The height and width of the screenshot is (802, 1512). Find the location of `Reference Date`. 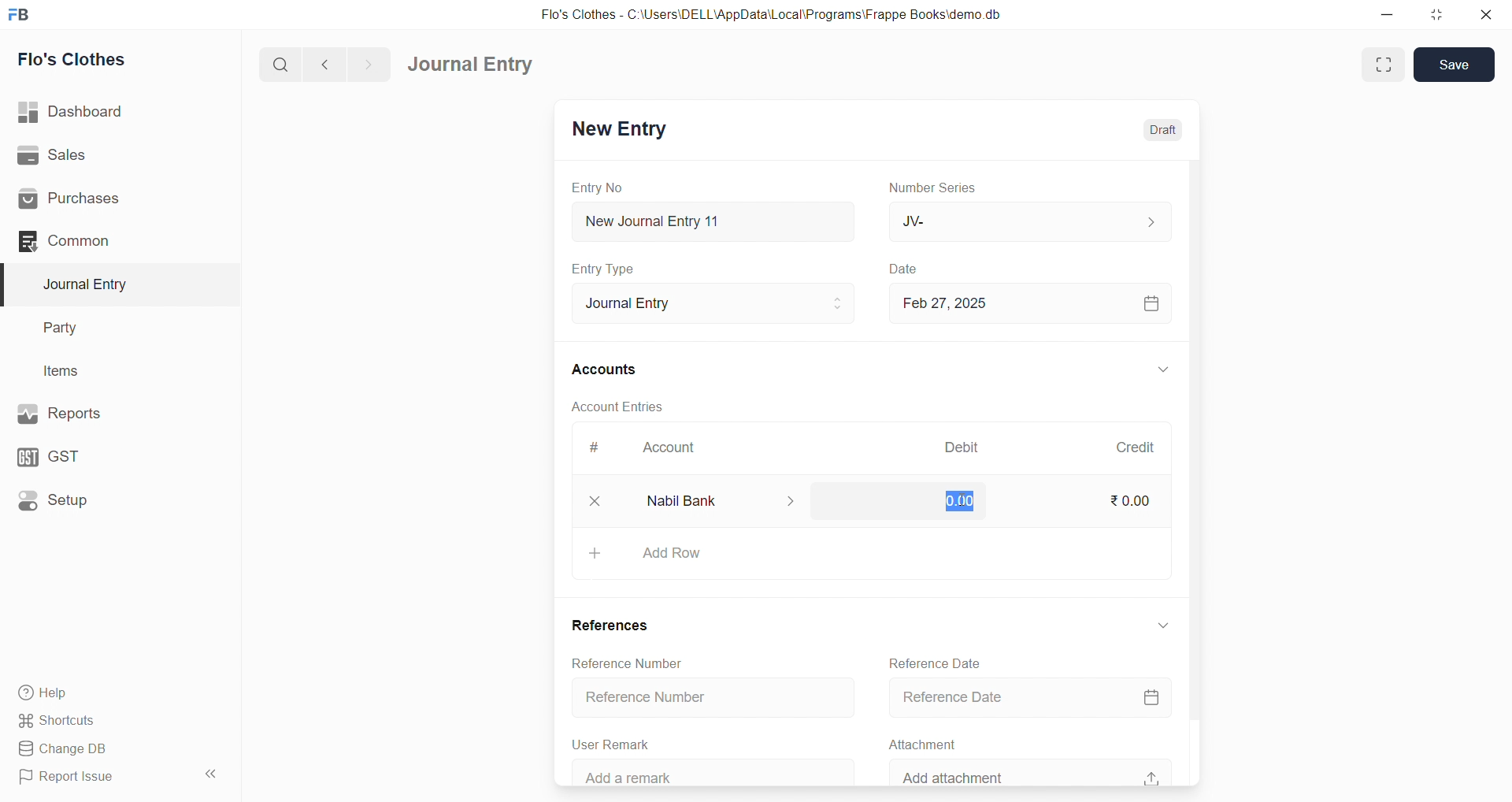

Reference Date is located at coordinates (1028, 697).